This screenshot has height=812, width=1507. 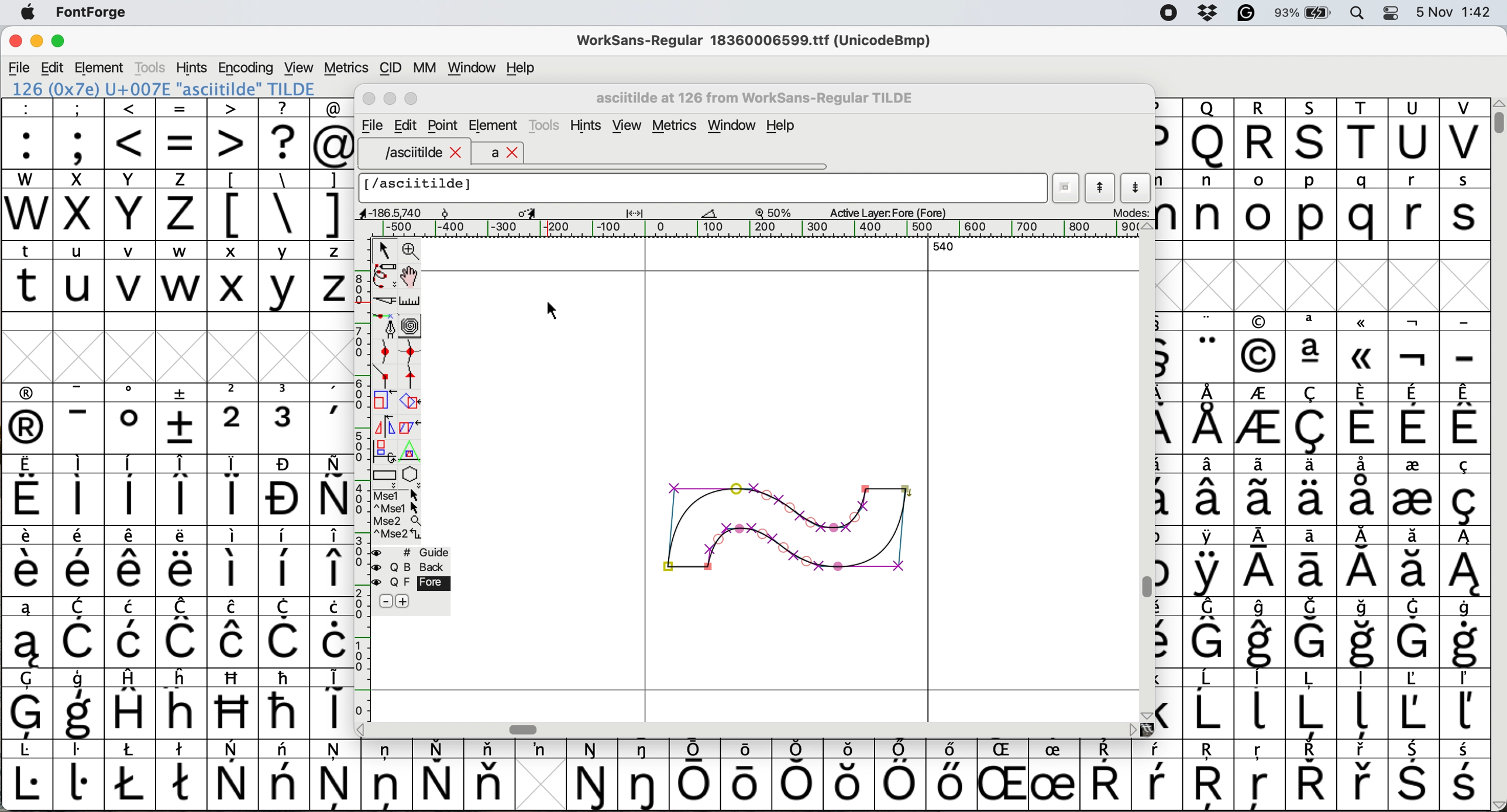 What do you see at coordinates (386, 302) in the screenshot?
I see `cut splines in two` at bounding box center [386, 302].